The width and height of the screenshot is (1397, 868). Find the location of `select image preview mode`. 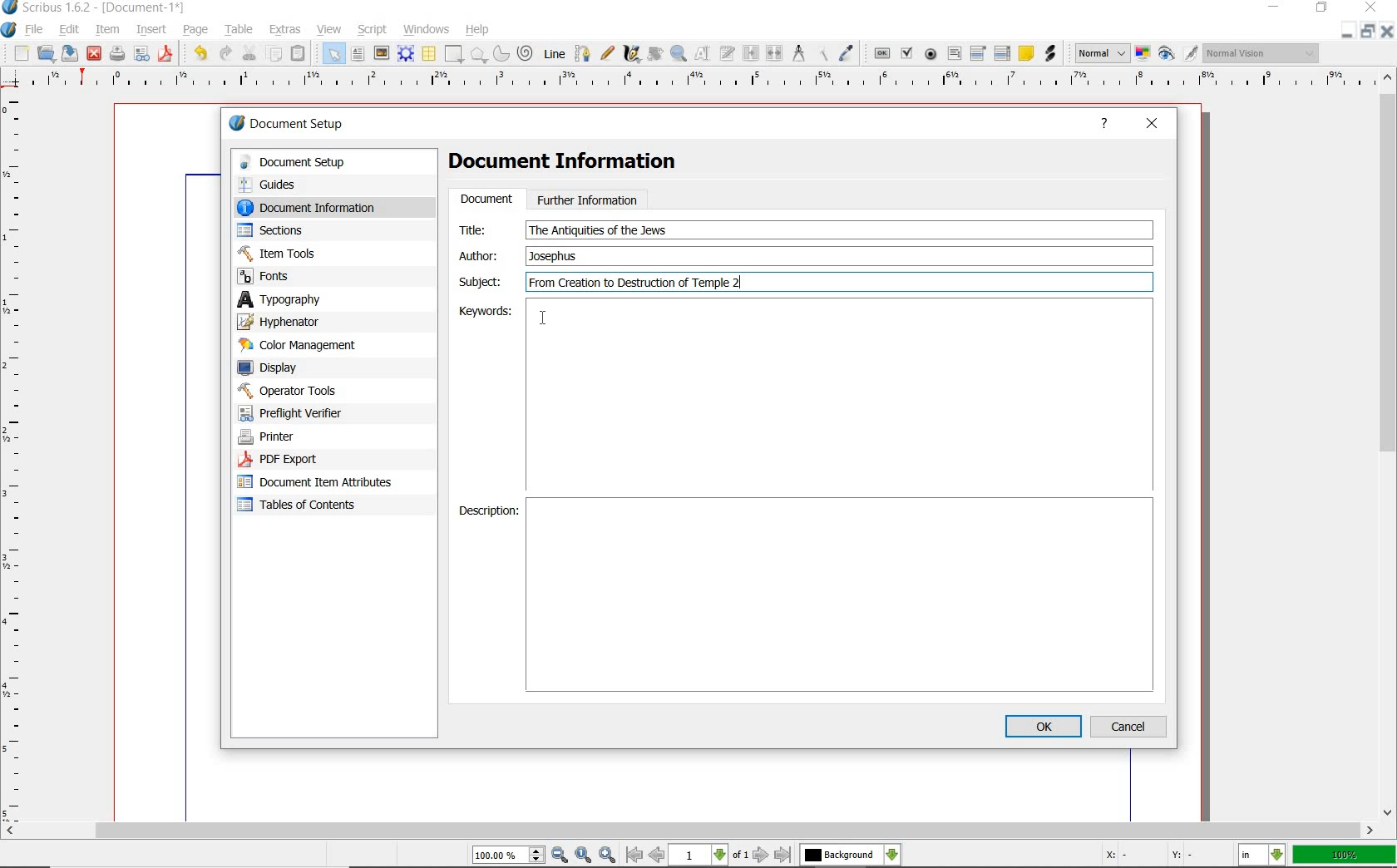

select image preview mode is located at coordinates (1102, 54).